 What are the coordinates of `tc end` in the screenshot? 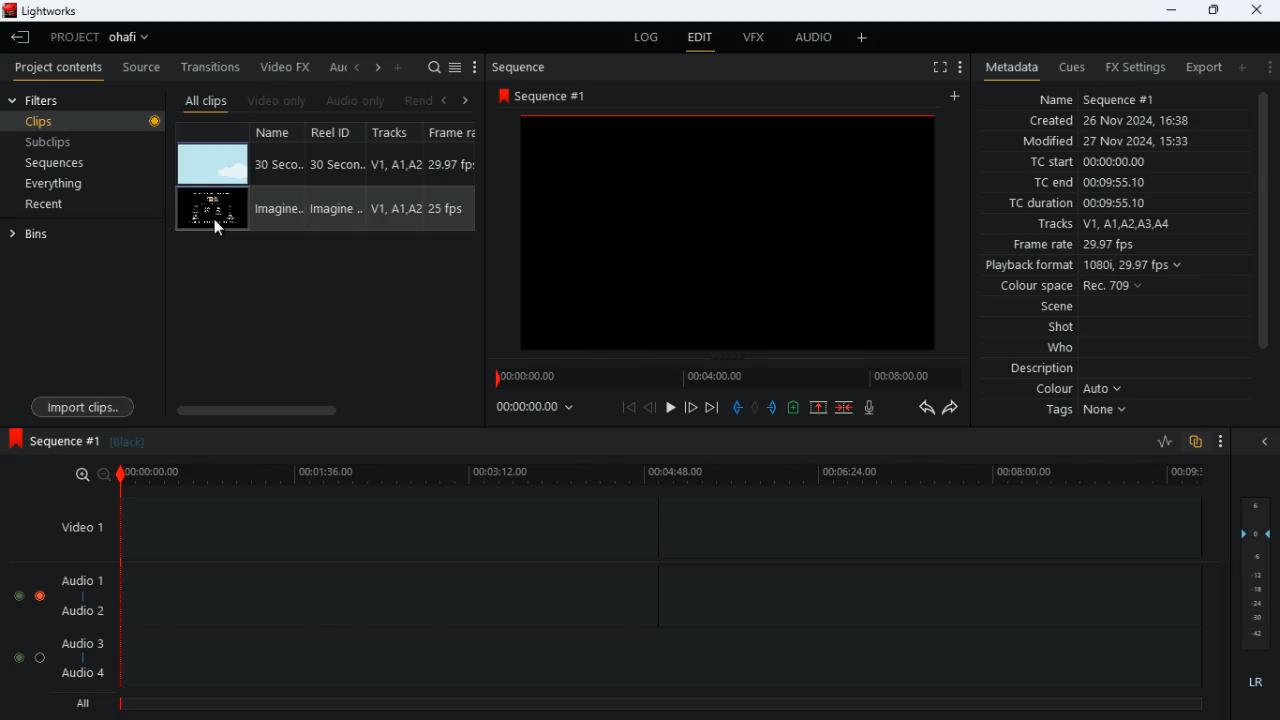 It's located at (1096, 183).